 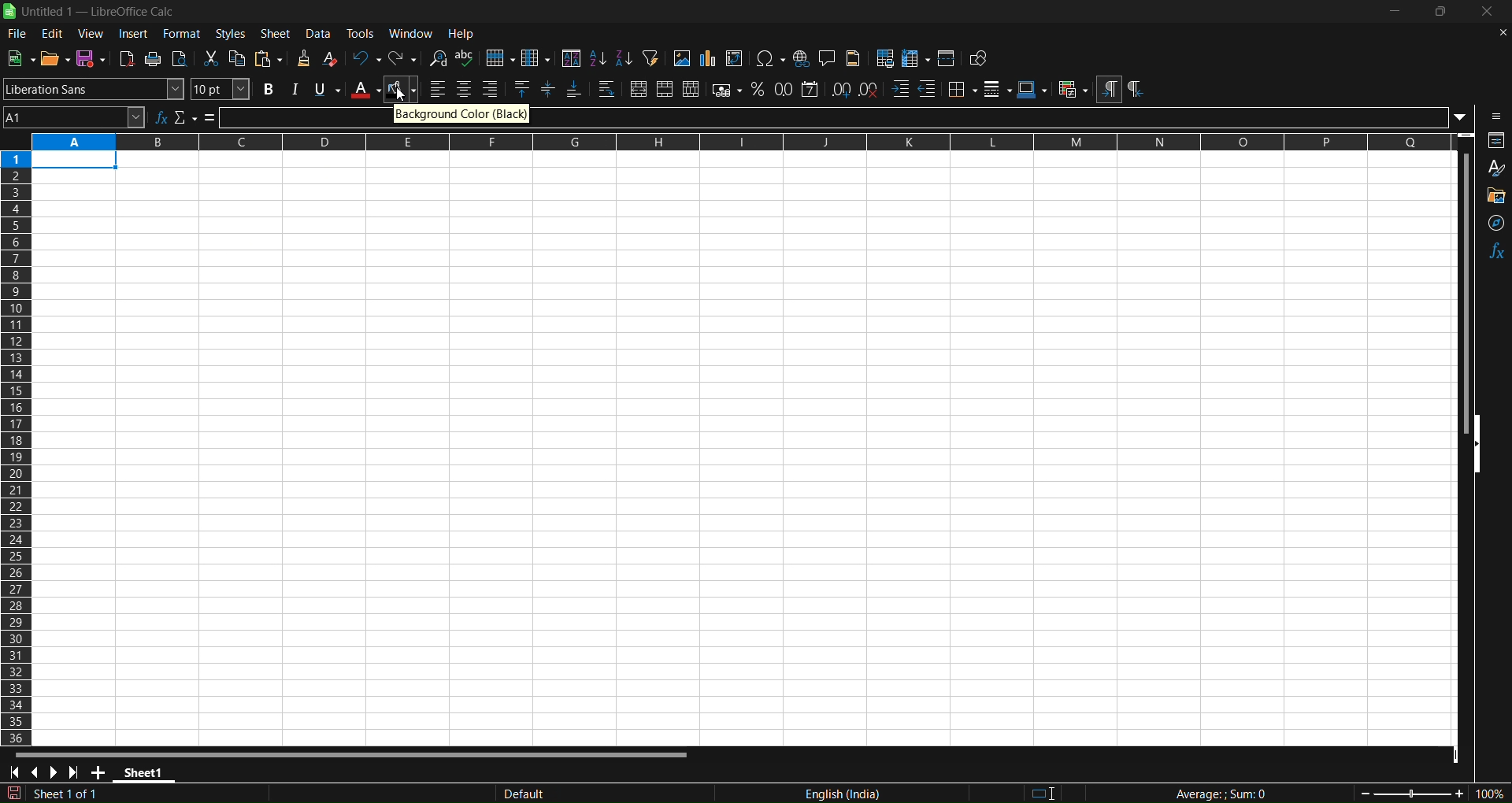 I want to click on minimize, so click(x=1397, y=11).